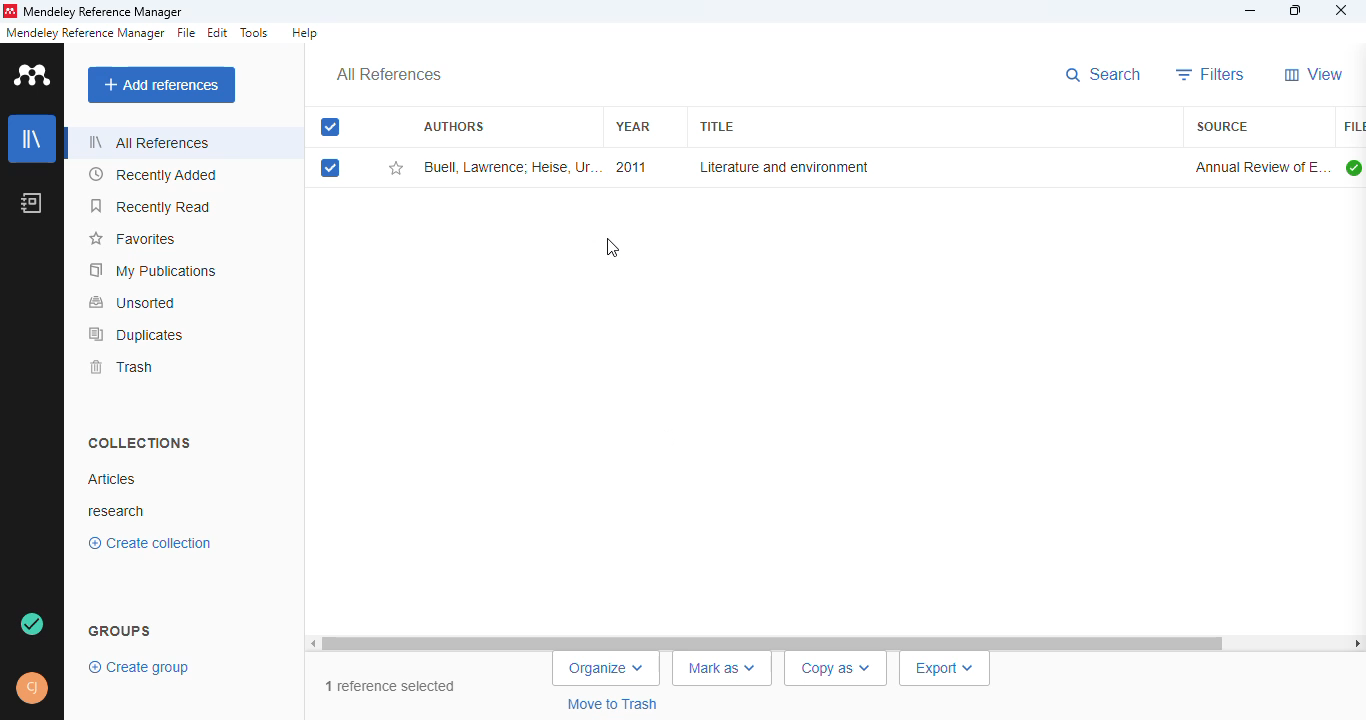  I want to click on file, so click(1353, 127).